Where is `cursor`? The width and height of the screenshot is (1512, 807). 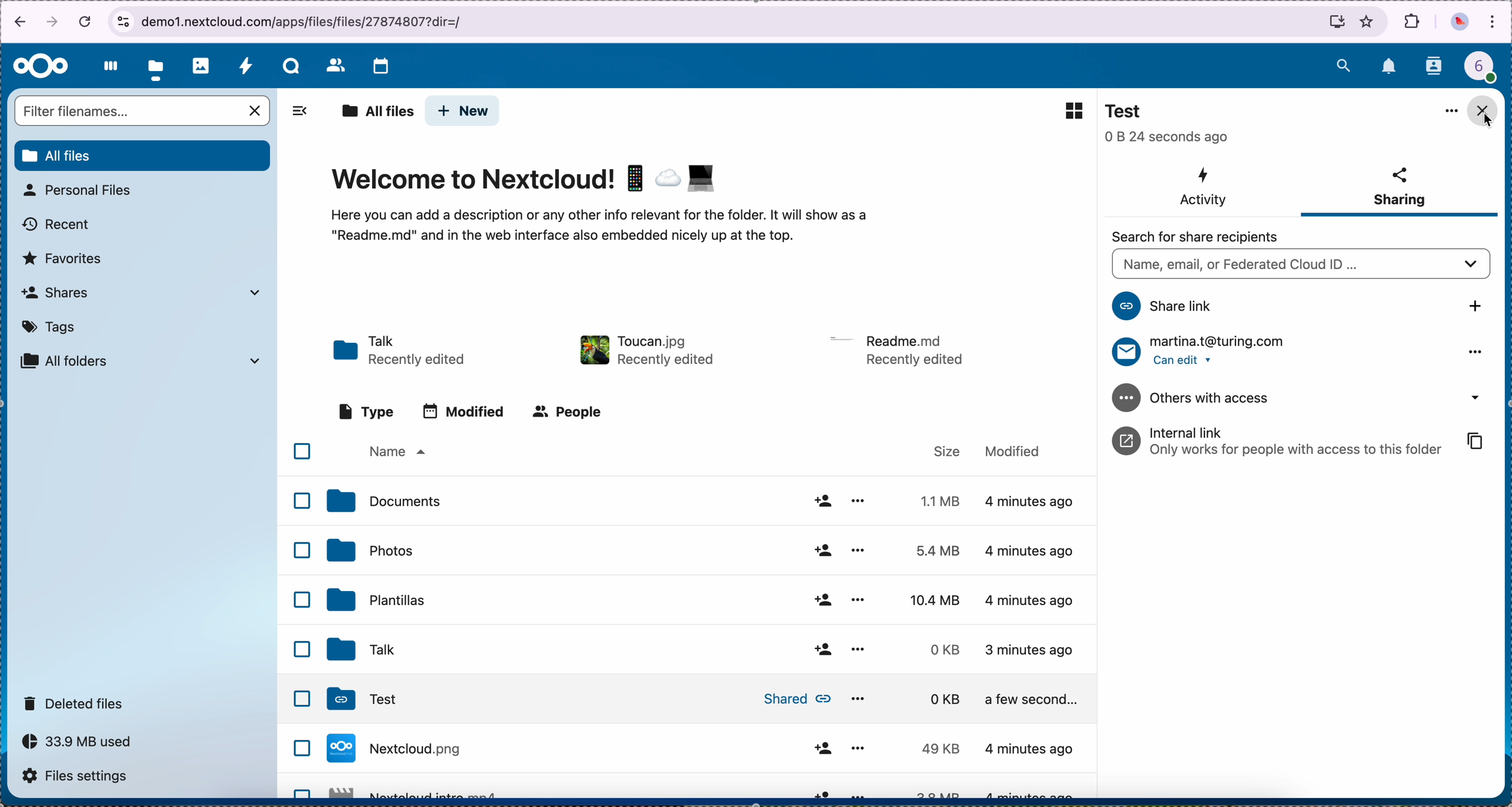 cursor is located at coordinates (1486, 121).